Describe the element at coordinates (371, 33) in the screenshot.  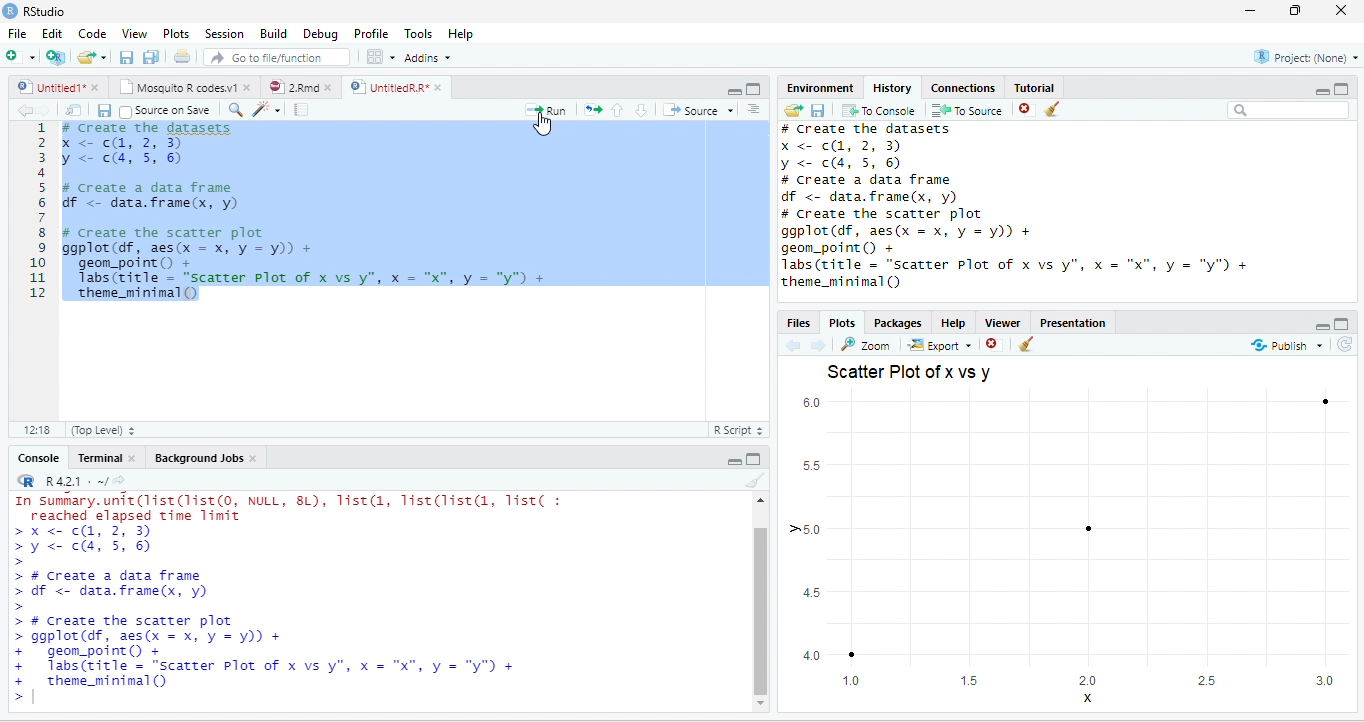
I see `Profile` at that location.